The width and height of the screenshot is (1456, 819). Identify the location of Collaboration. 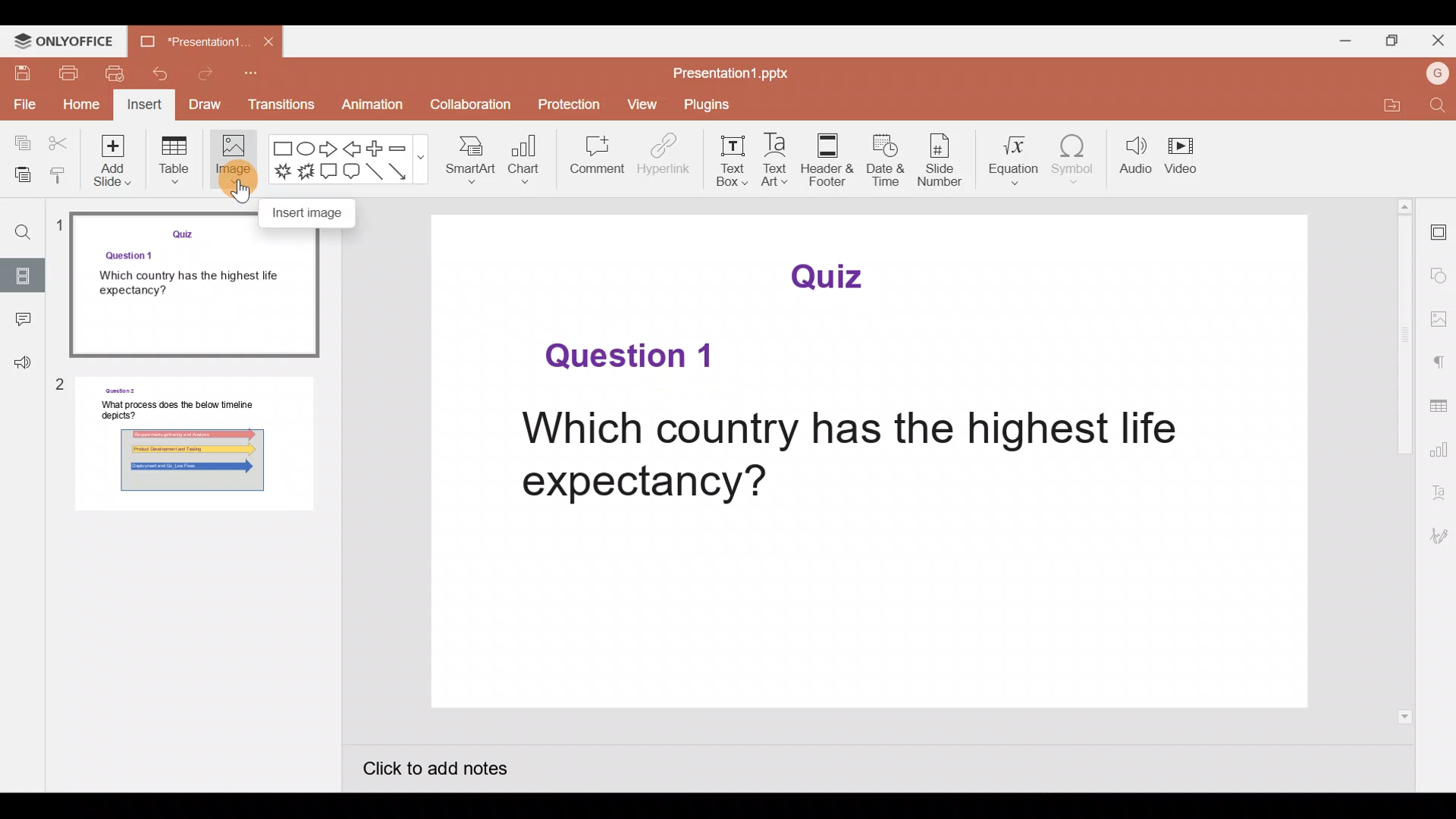
(464, 104).